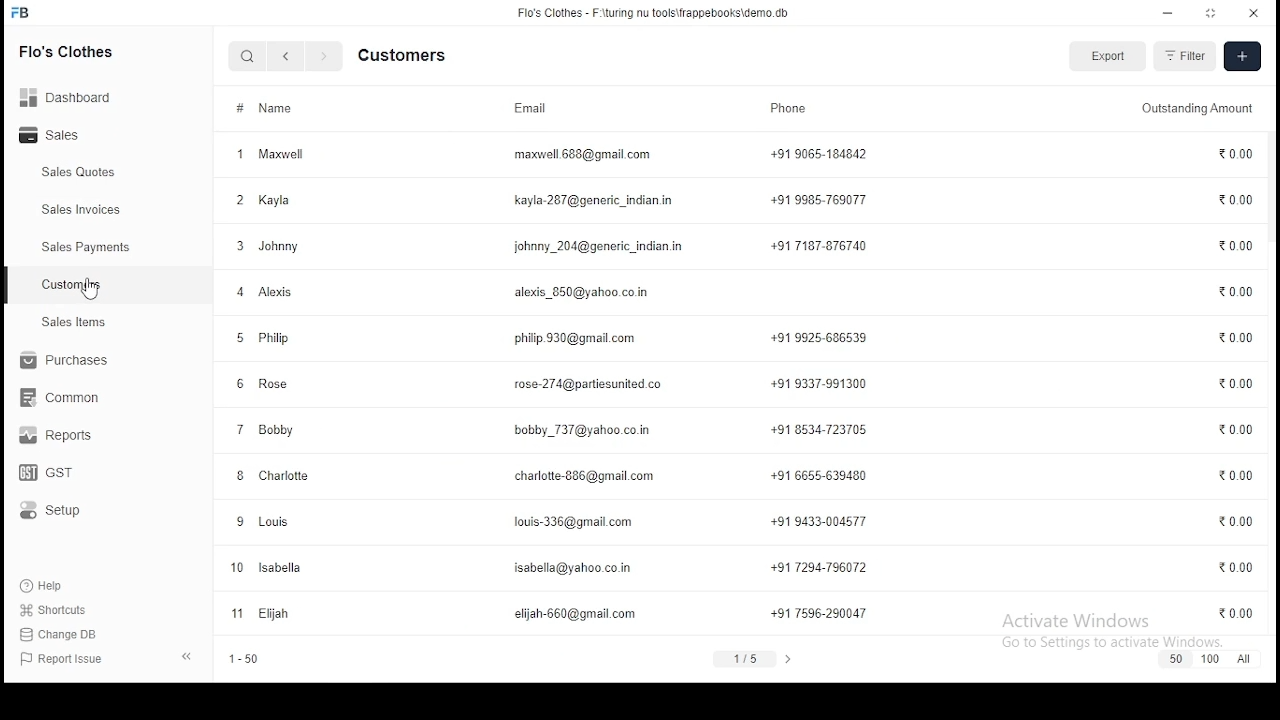  What do you see at coordinates (59, 358) in the screenshot?
I see `purchase` at bounding box center [59, 358].